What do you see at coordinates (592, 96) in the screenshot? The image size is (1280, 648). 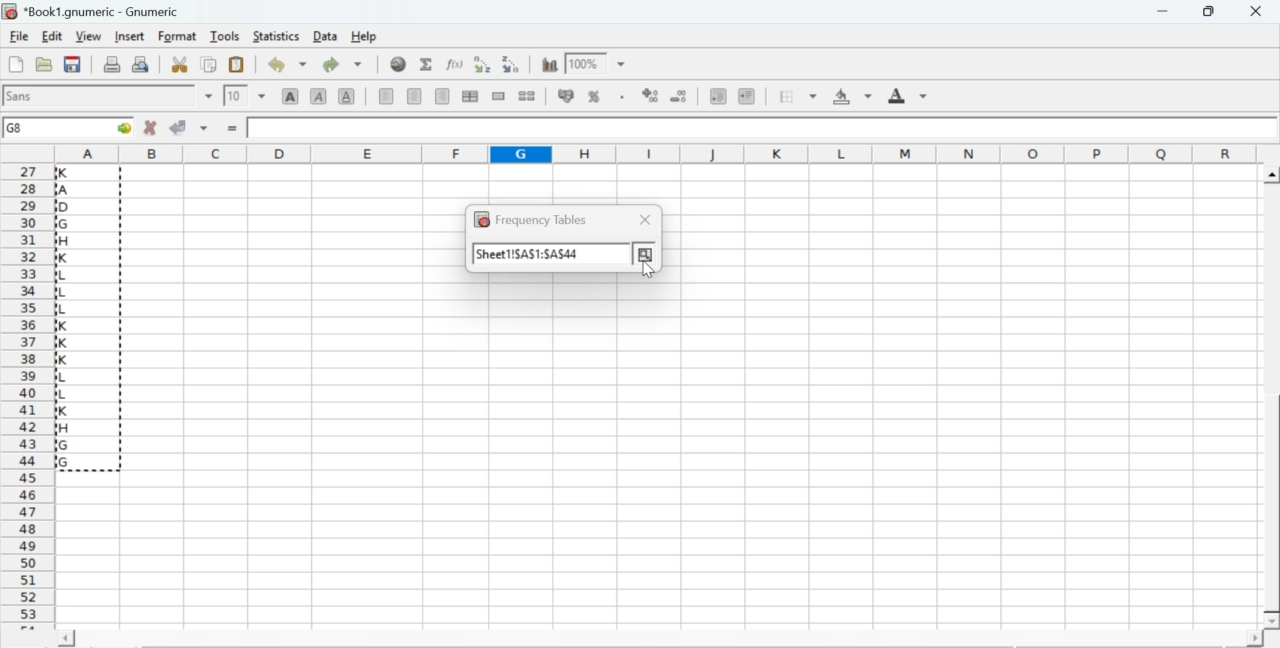 I see `format selection as percentage` at bounding box center [592, 96].